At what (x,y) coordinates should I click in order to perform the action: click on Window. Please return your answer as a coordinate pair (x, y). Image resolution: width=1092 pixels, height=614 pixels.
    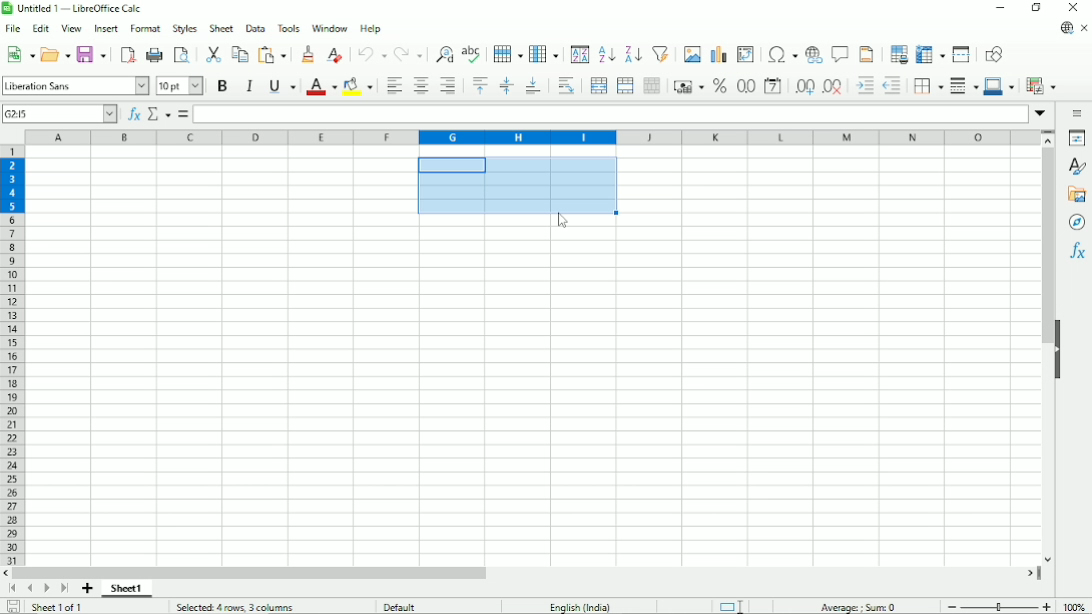
    Looking at the image, I should click on (330, 29).